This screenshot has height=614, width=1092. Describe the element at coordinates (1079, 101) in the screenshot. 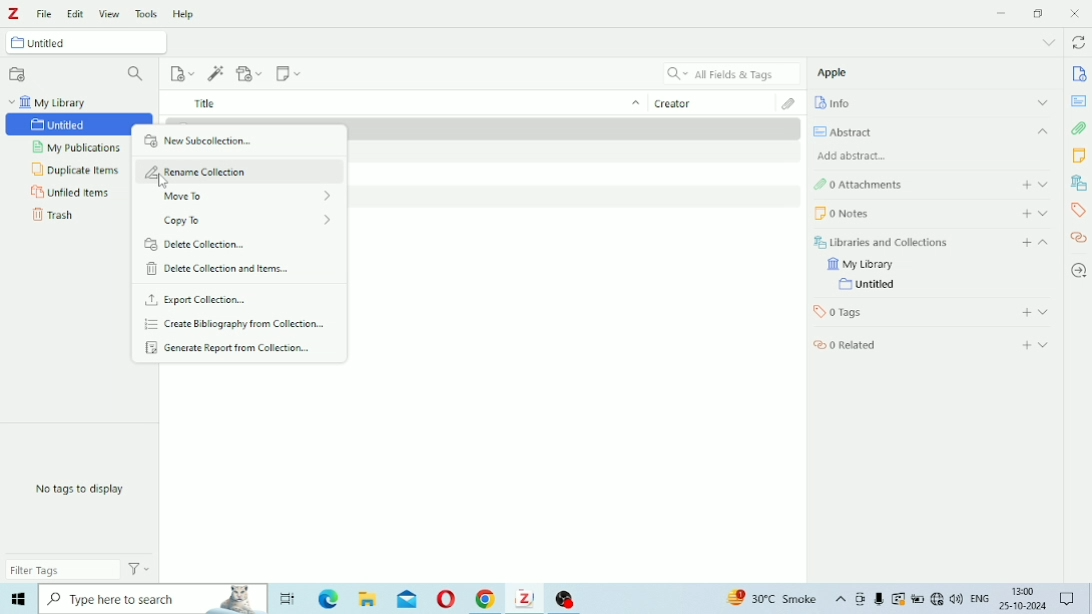

I see `Abstract` at that location.